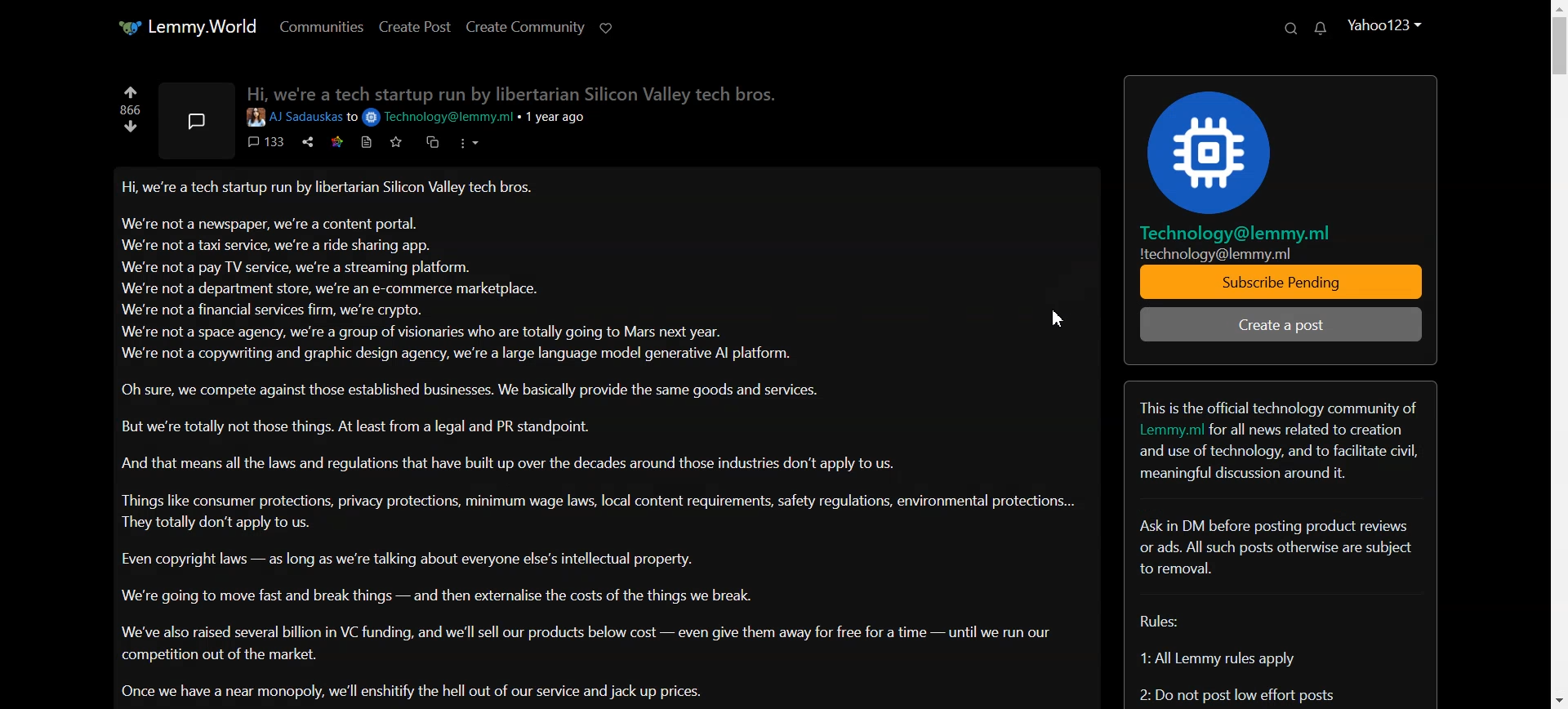  Describe the element at coordinates (1281, 143) in the screenshot. I see `Channel icon` at that location.